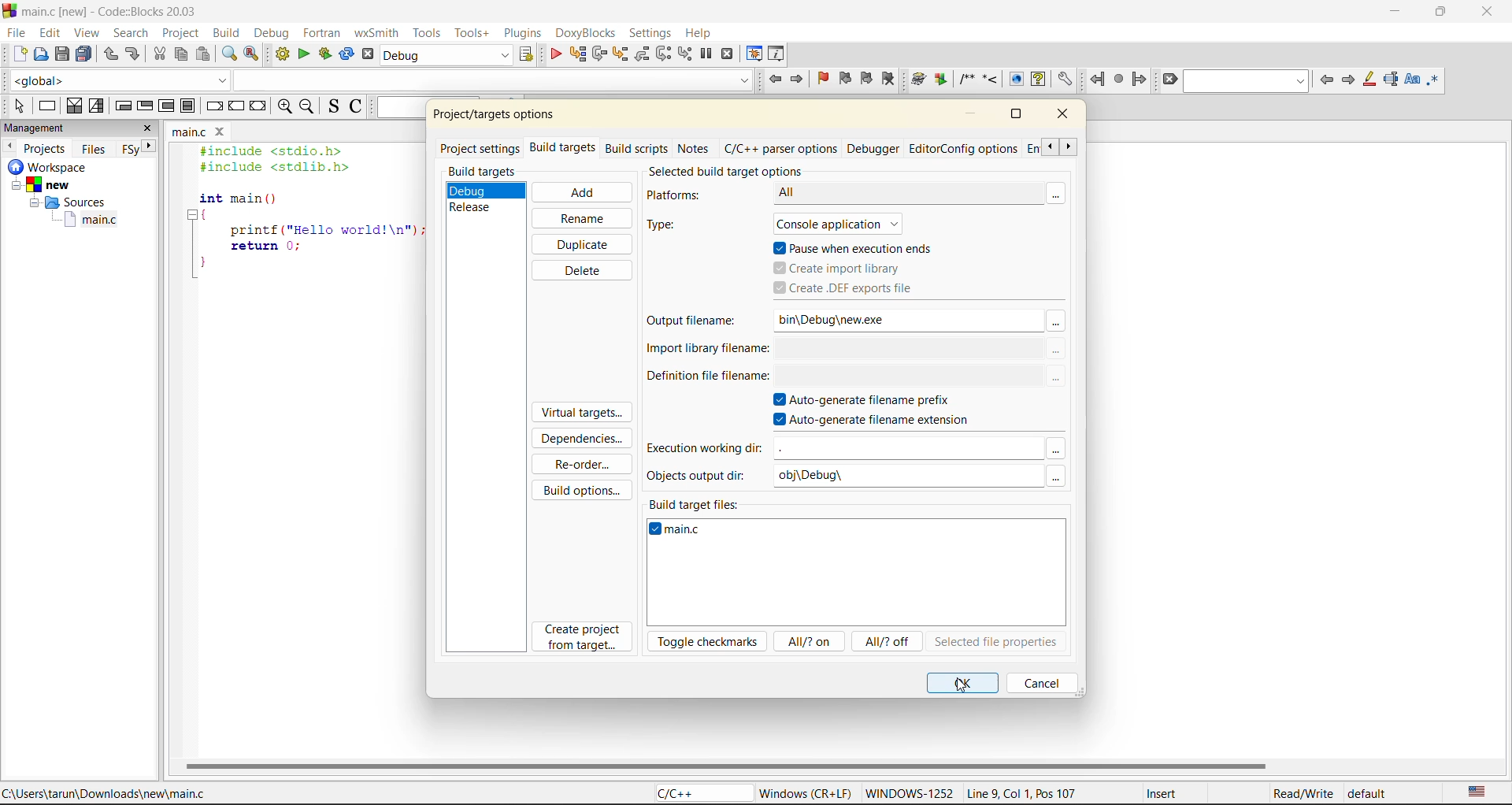 The image size is (1512, 805). Describe the element at coordinates (1437, 79) in the screenshot. I see `use regex` at that location.